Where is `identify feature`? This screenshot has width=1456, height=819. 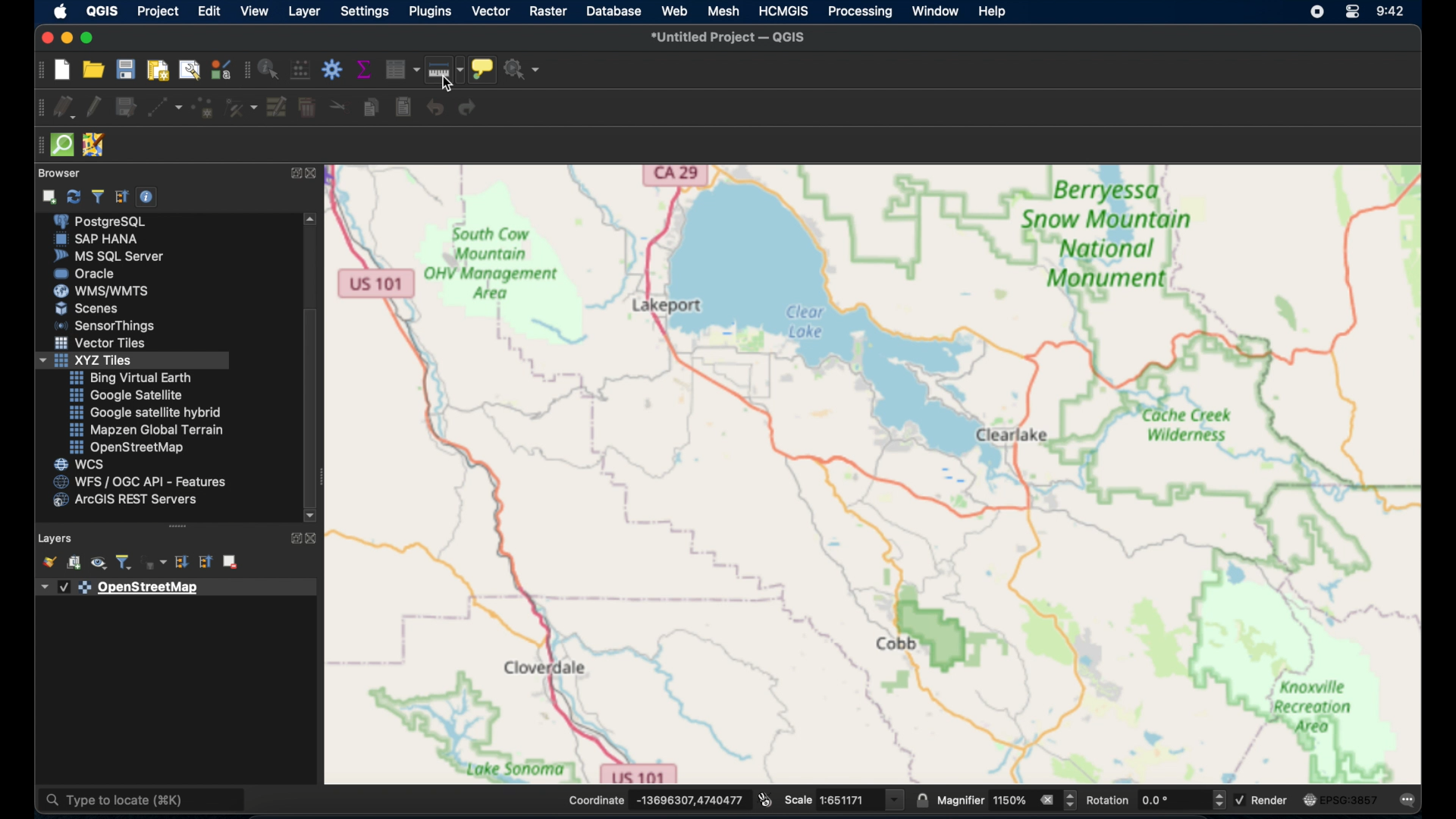 identify feature is located at coordinates (268, 69).